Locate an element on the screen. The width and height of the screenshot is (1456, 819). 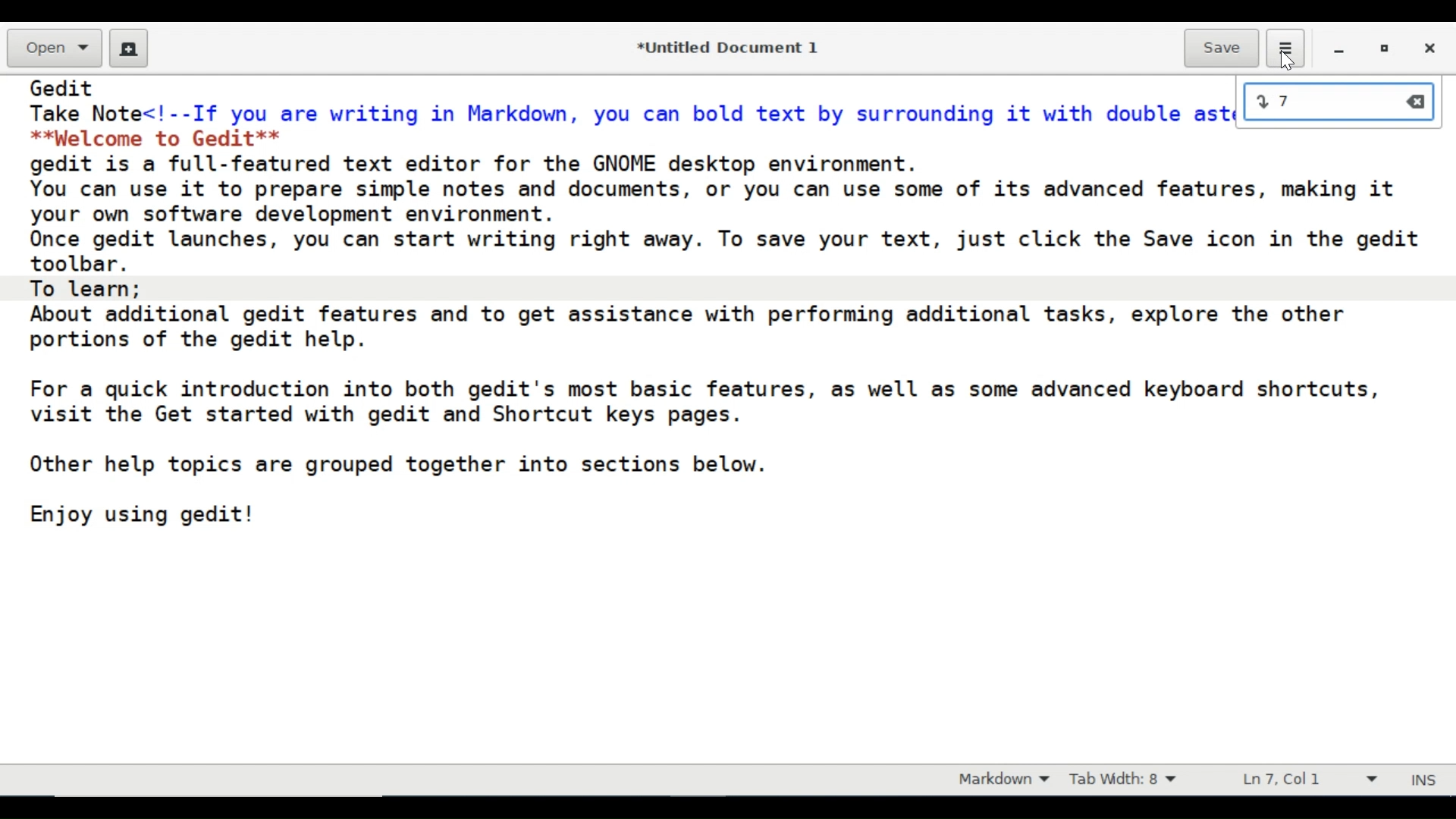
minimize is located at coordinates (1341, 51).